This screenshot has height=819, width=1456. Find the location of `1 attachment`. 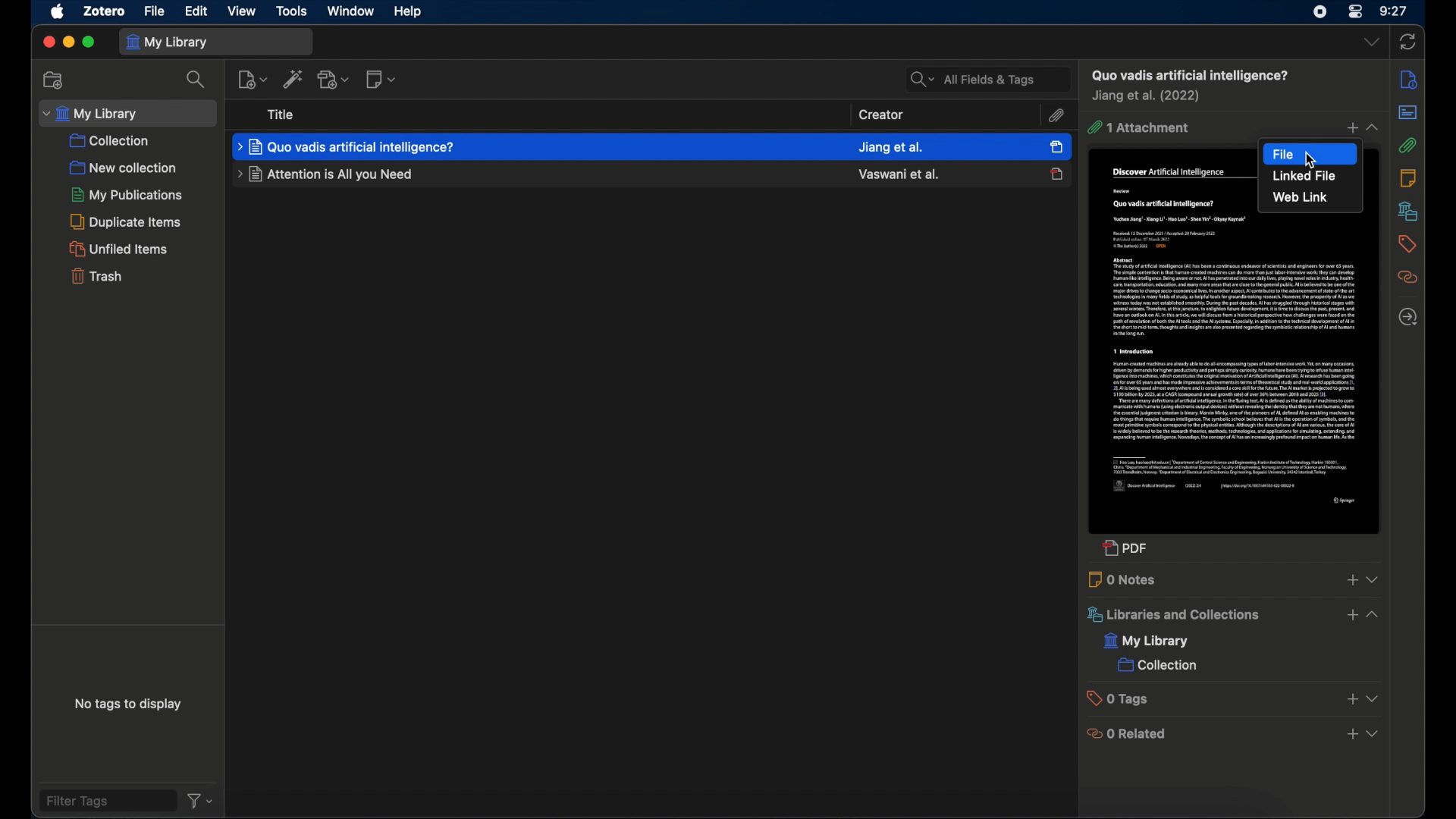

1 attachment is located at coordinates (1138, 128).